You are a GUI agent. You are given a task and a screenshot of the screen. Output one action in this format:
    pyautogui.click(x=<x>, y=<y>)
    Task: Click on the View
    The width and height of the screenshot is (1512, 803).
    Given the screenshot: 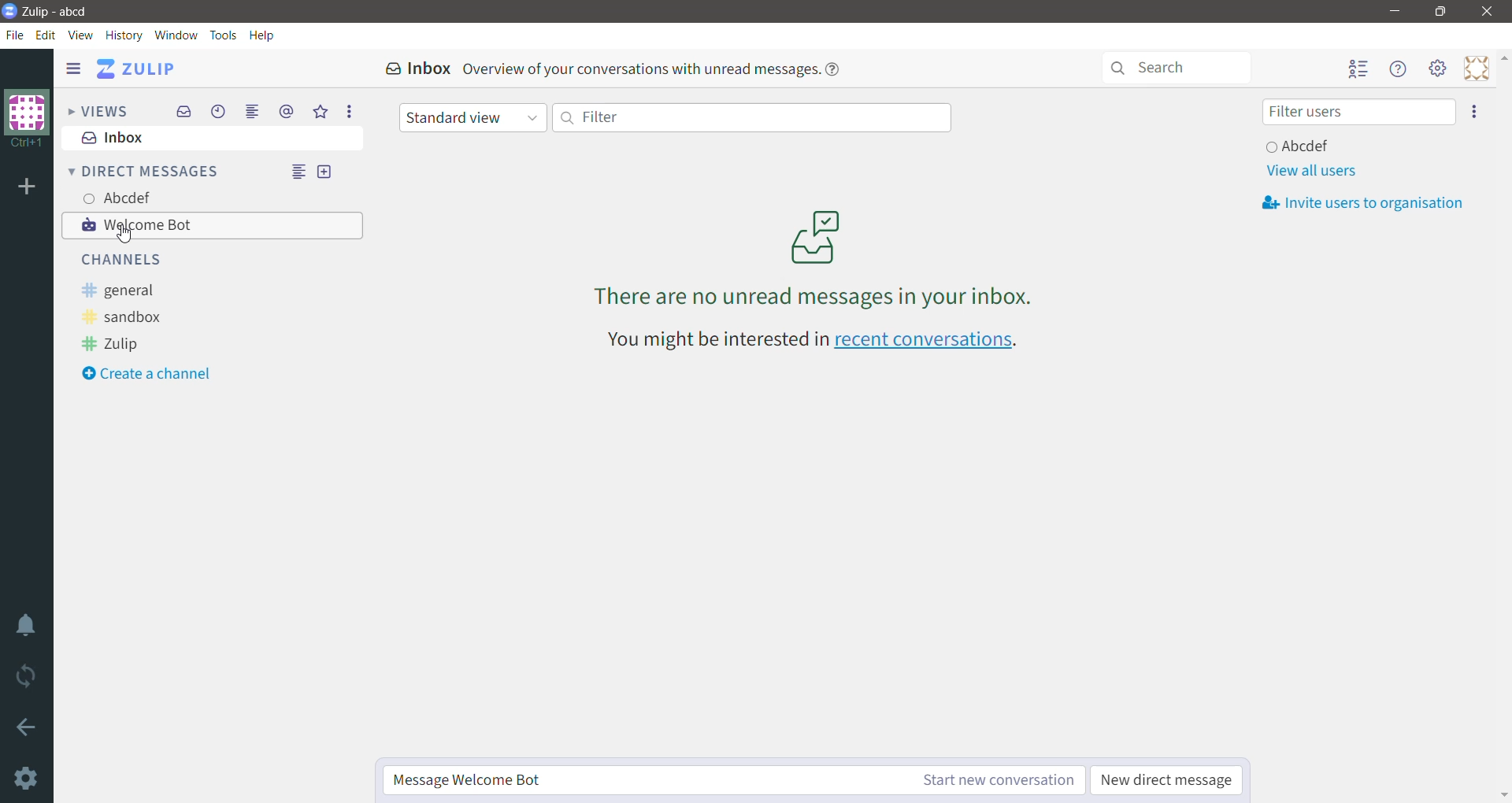 What is the action you would take?
    pyautogui.click(x=82, y=34)
    